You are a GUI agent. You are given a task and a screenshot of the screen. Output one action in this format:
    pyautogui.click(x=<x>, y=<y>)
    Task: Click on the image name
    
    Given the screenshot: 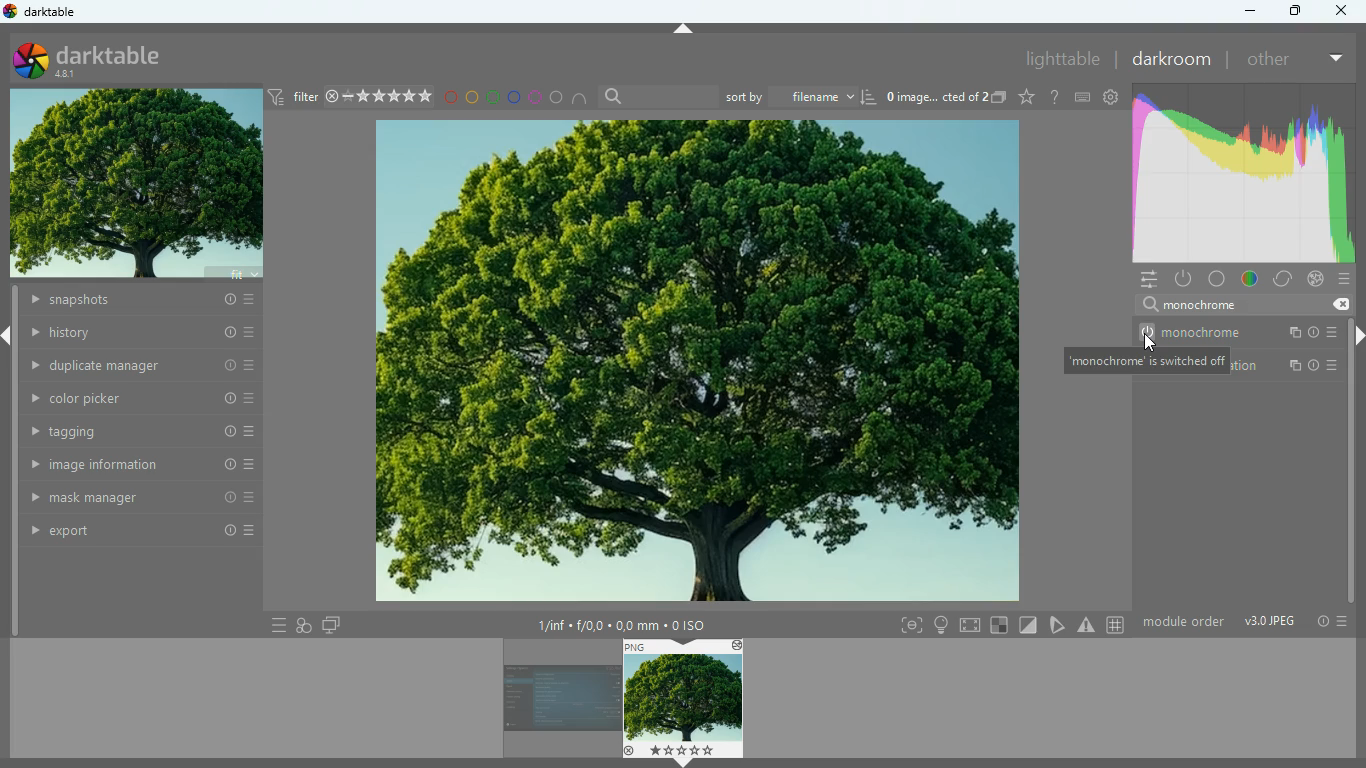 What is the action you would take?
    pyautogui.click(x=937, y=97)
    